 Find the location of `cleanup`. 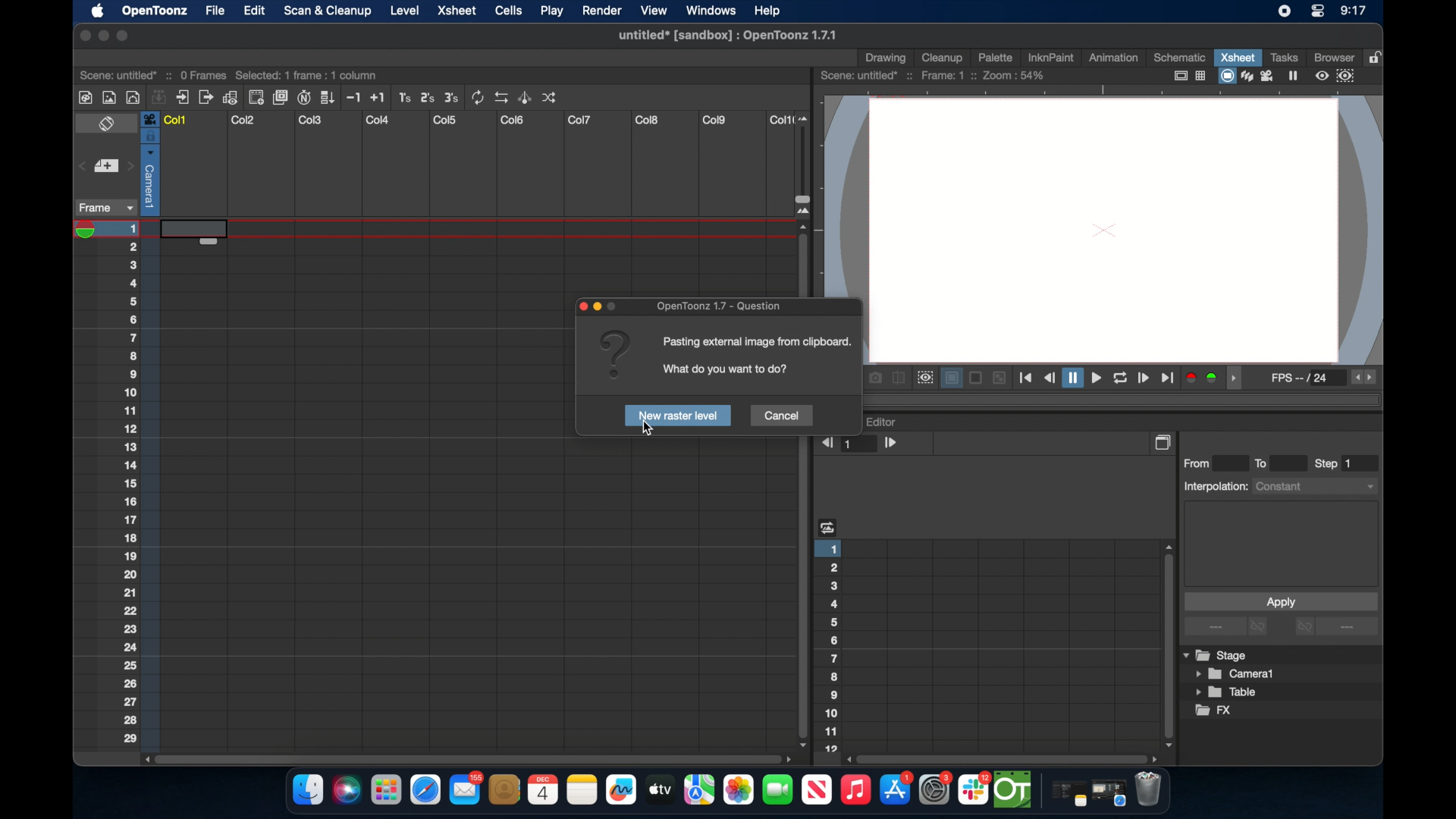

cleanup is located at coordinates (943, 56).